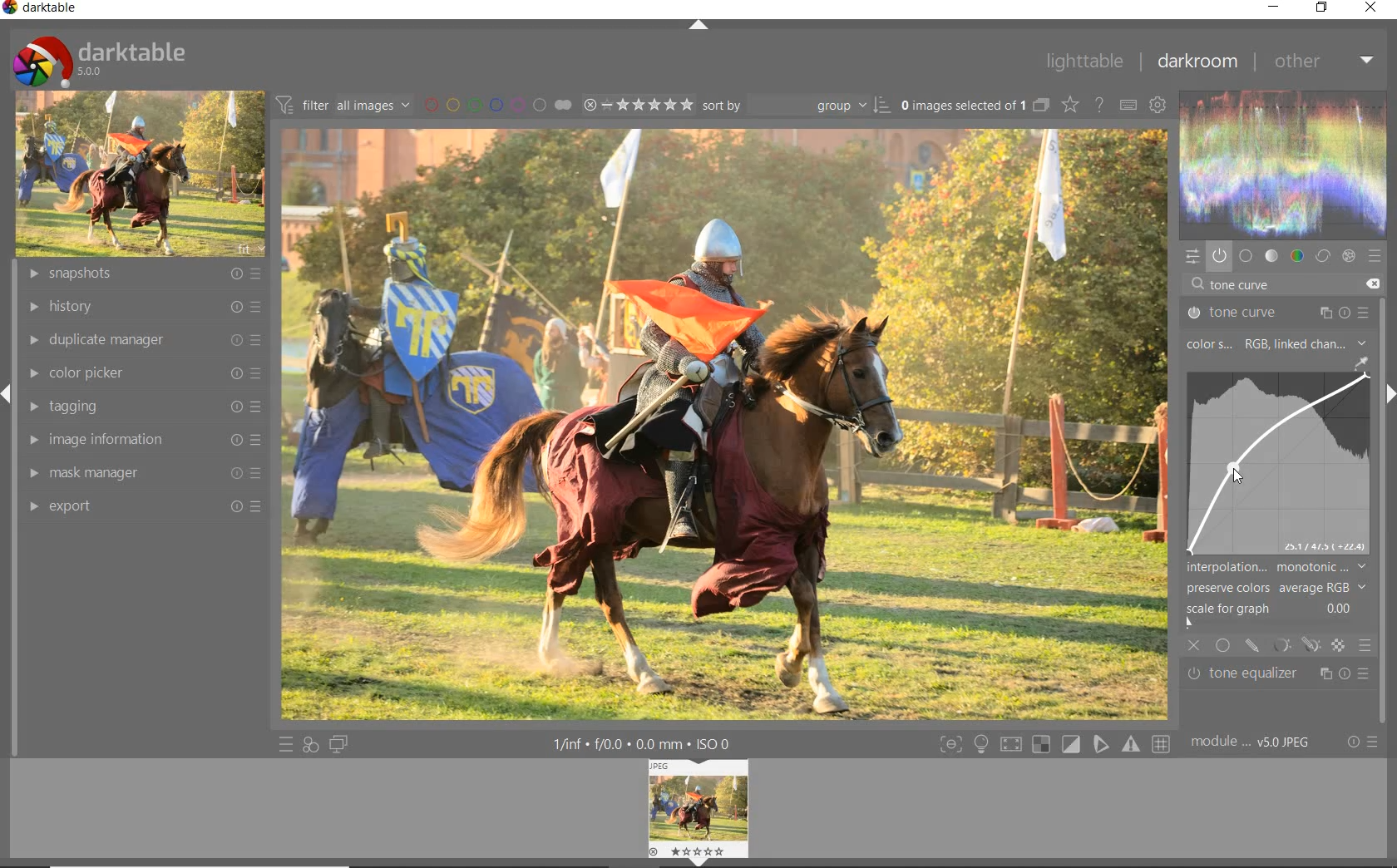 This screenshot has height=868, width=1397. What do you see at coordinates (1128, 106) in the screenshot?
I see `define keyboard shortcuts` at bounding box center [1128, 106].